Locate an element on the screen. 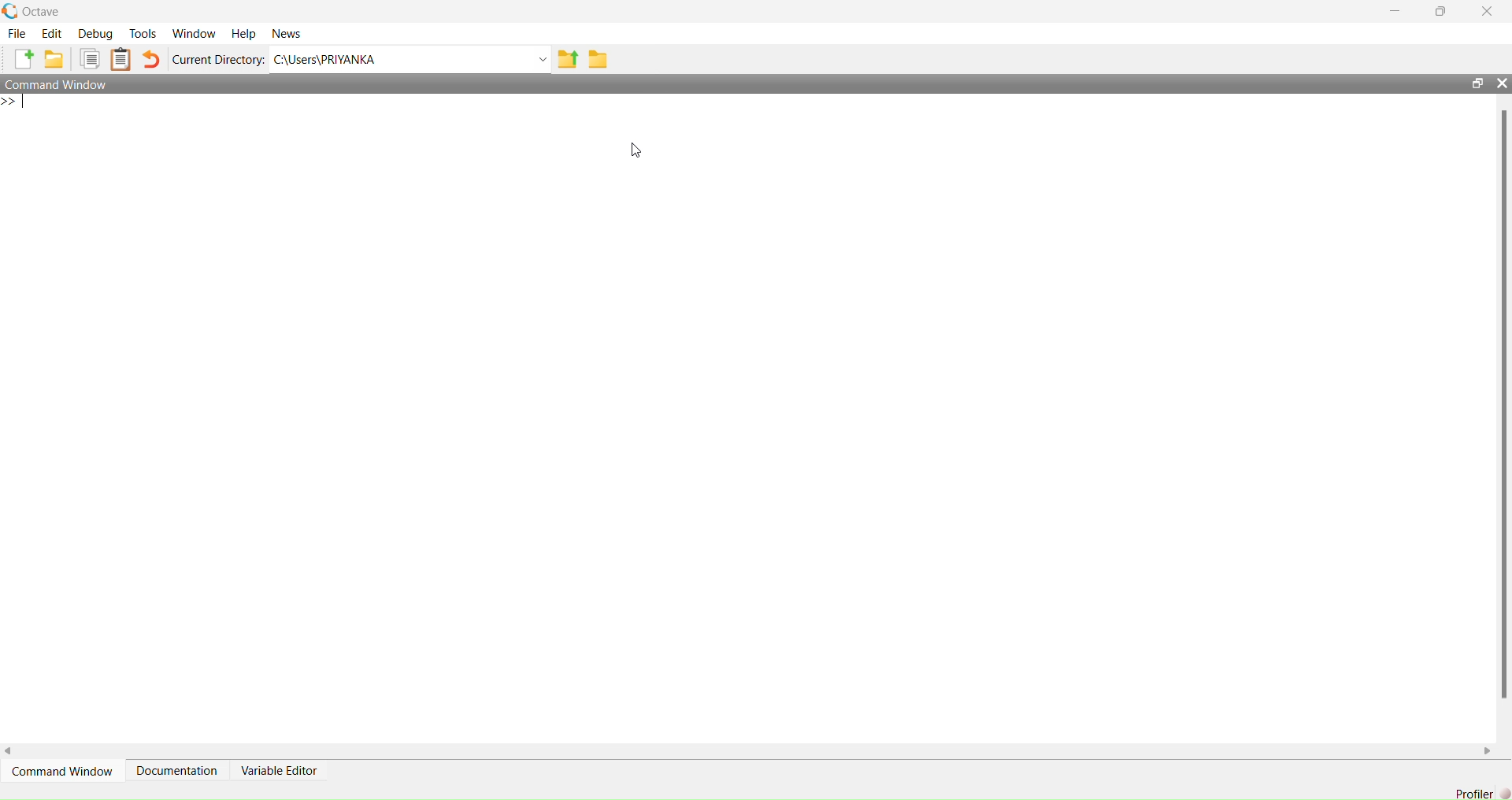 The image size is (1512, 800). restore is located at coordinates (1477, 83).